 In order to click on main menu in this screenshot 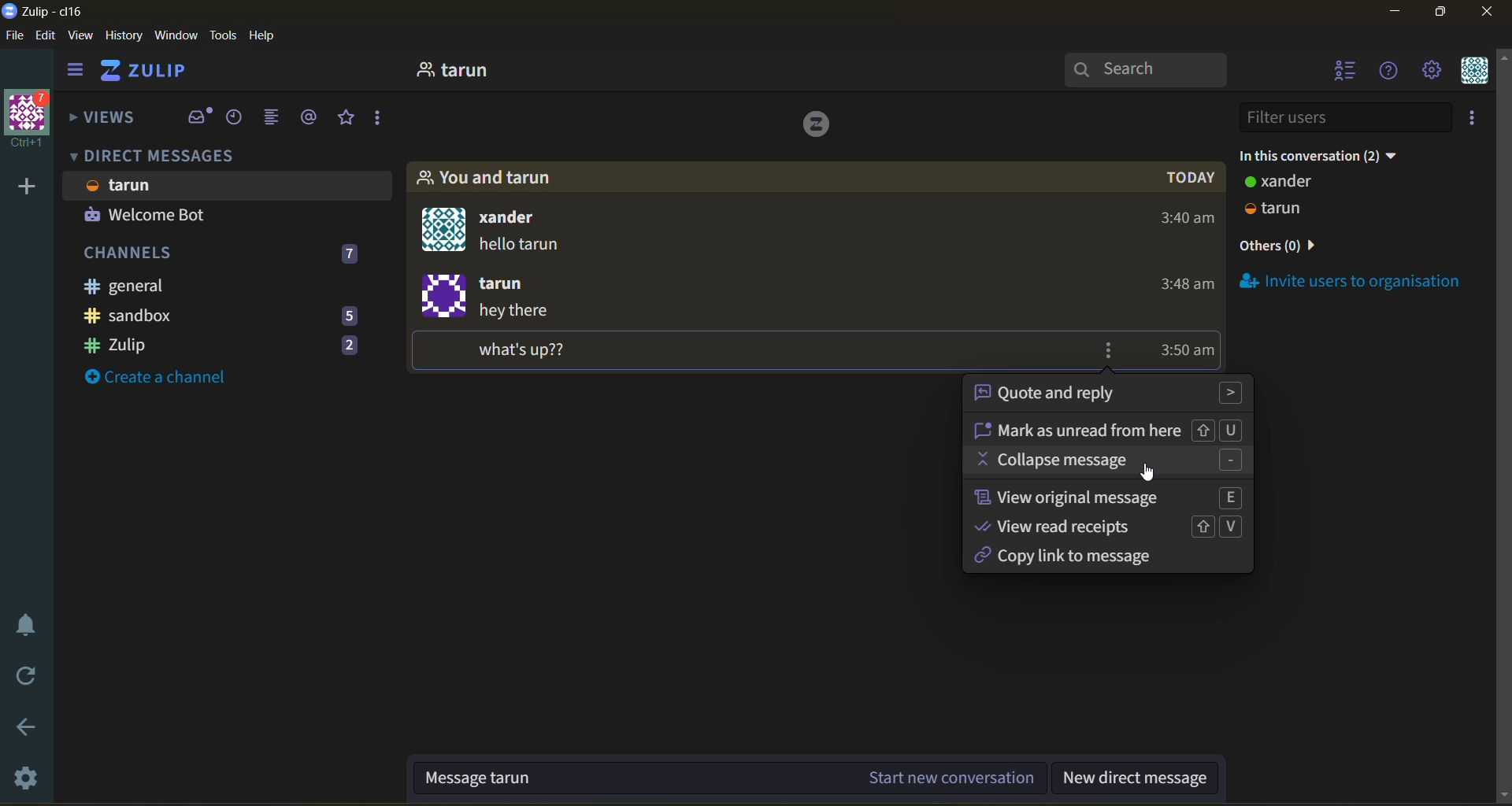, I will do `click(1431, 72)`.